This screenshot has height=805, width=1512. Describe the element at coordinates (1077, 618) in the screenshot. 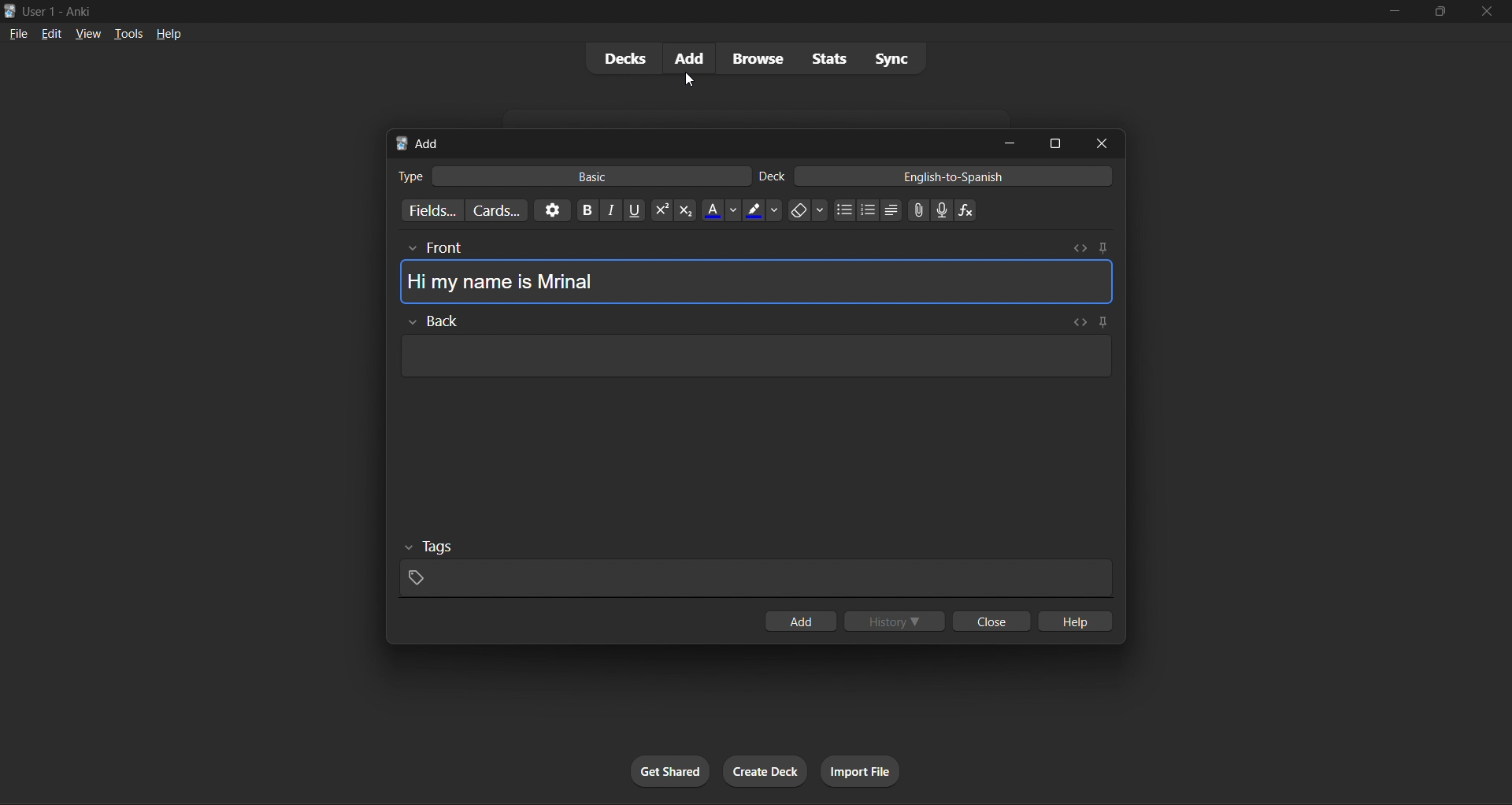

I see `help` at that location.